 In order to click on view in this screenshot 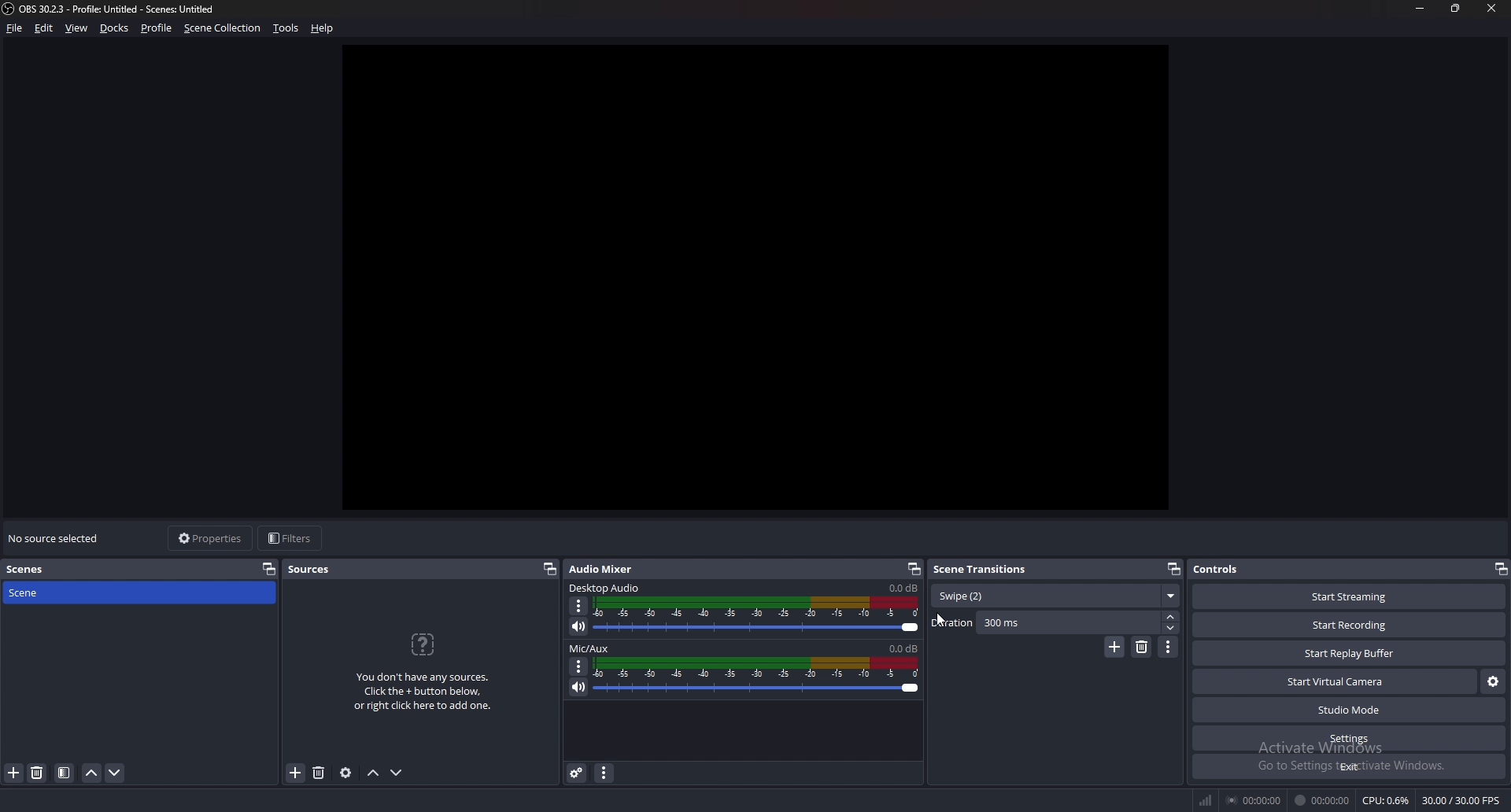, I will do `click(77, 28)`.